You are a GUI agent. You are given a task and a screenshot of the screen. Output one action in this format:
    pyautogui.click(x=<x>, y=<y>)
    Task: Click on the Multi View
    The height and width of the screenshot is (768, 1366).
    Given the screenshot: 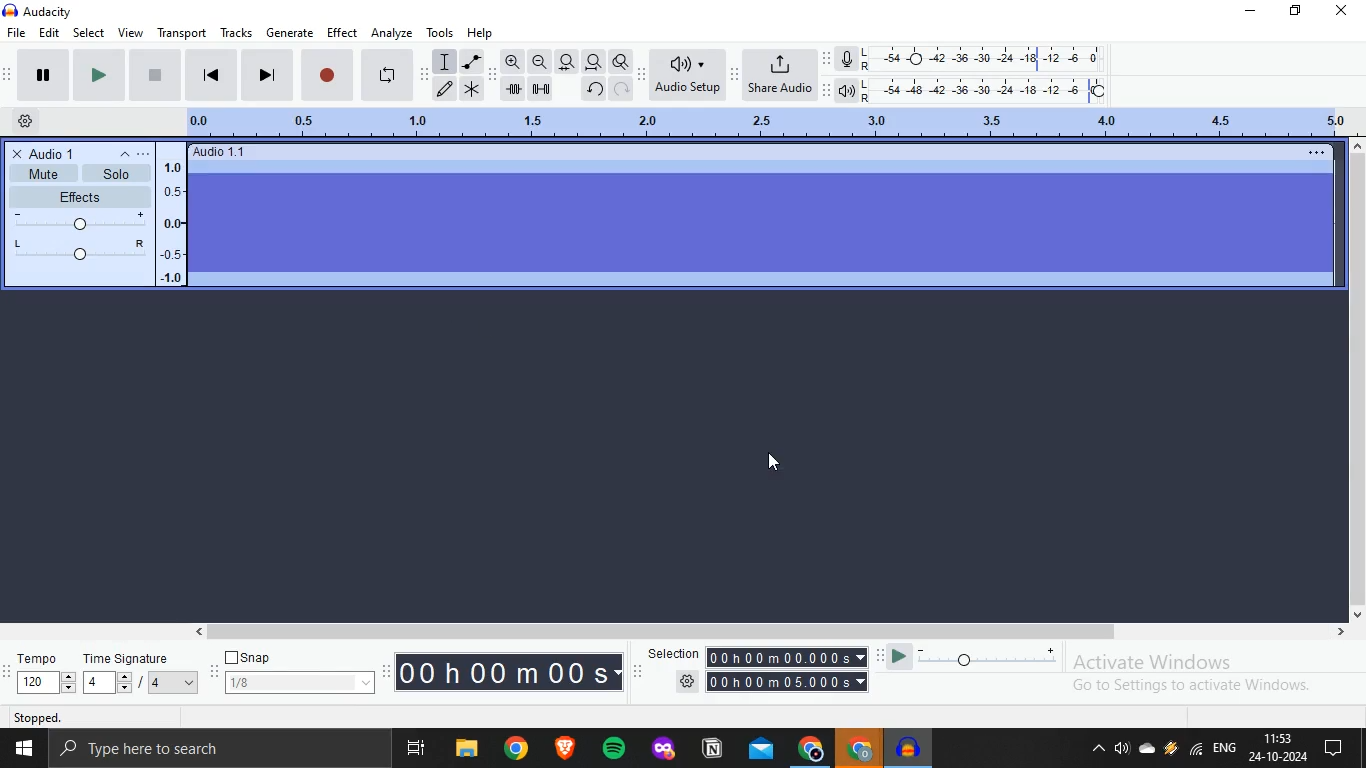 What is the action you would take?
    pyautogui.click(x=417, y=749)
    